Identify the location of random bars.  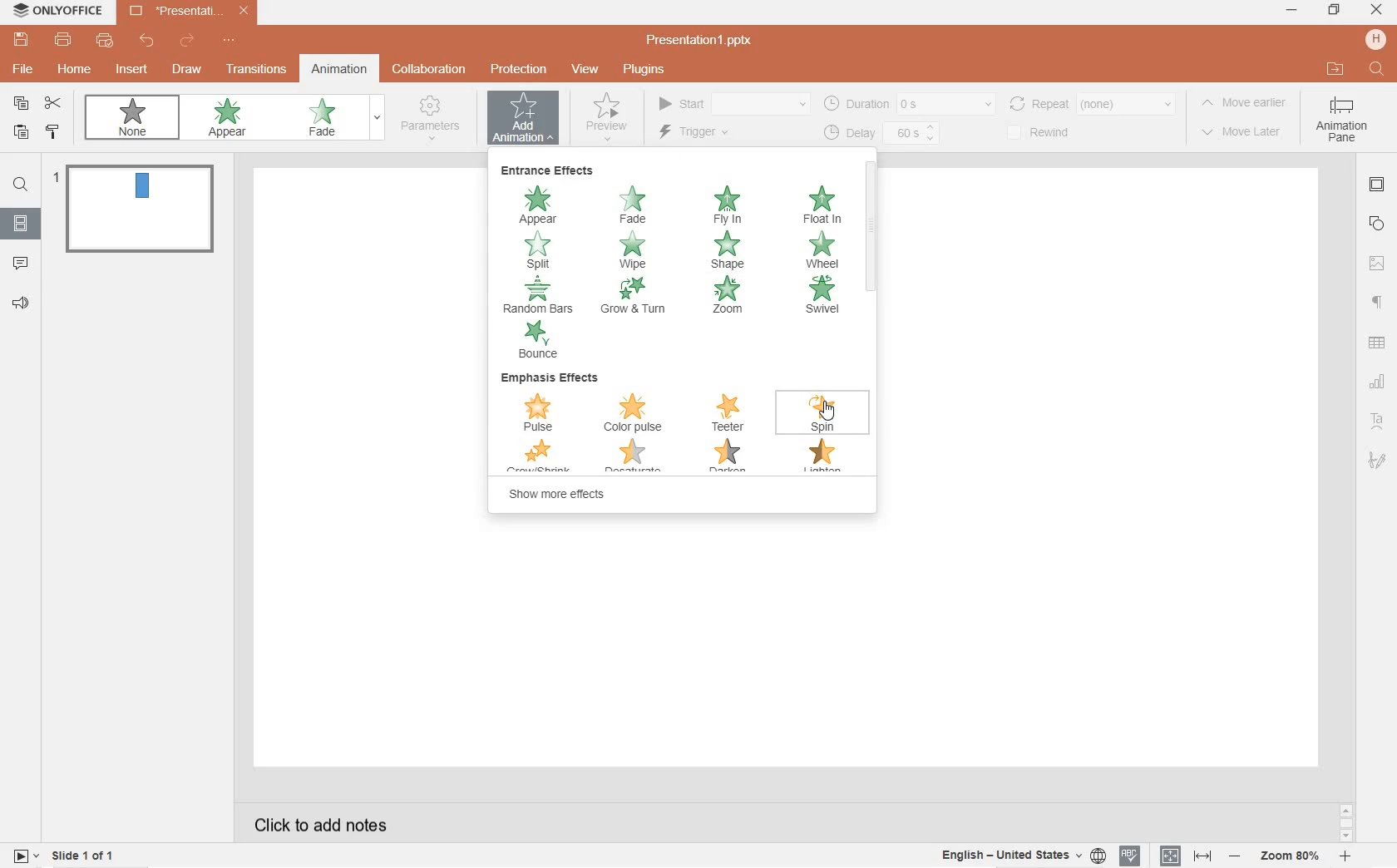
(537, 294).